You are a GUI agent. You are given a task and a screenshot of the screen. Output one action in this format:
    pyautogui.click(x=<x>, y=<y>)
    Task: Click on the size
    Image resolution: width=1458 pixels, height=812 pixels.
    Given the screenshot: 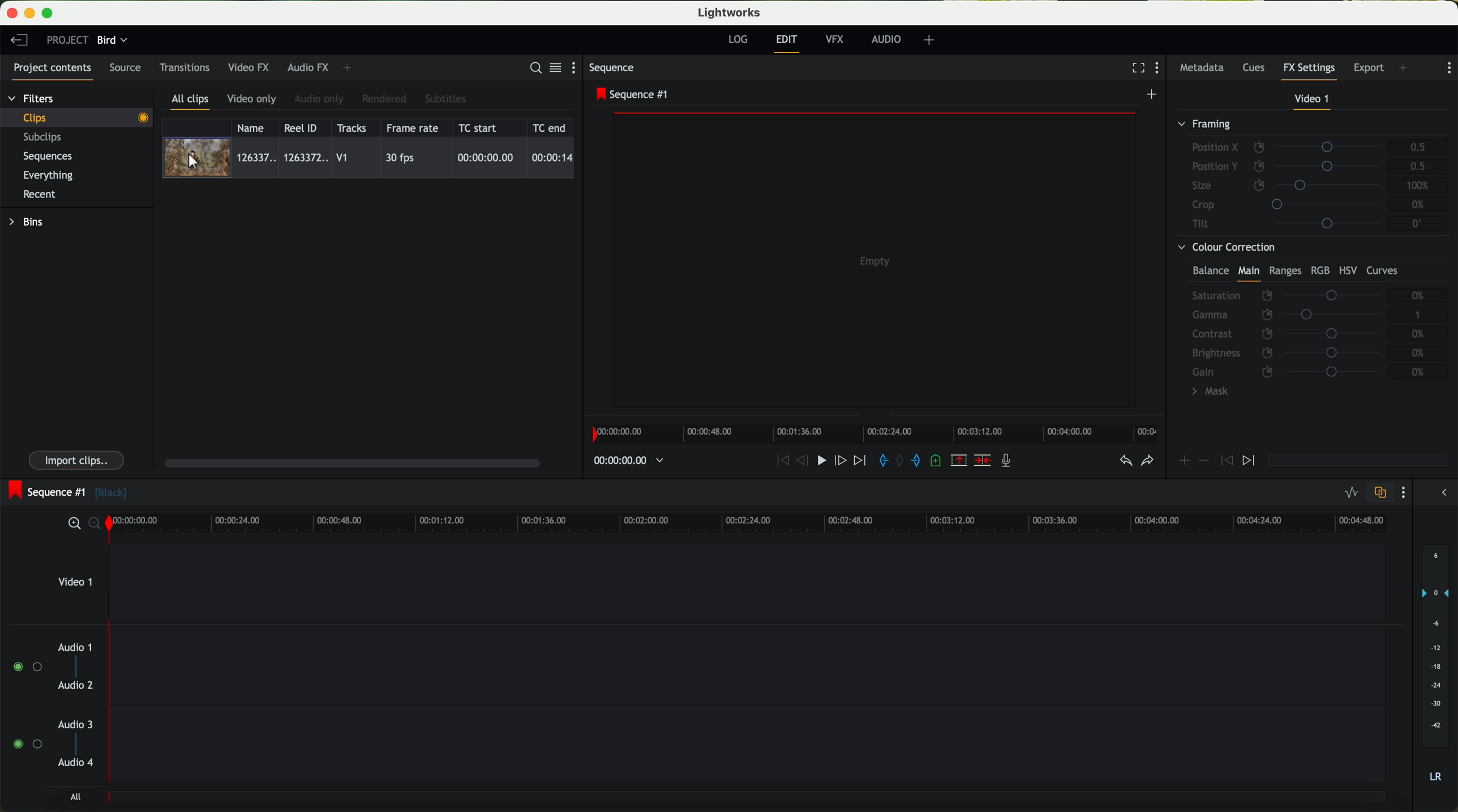 What is the action you would take?
    pyautogui.click(x=1289, y=186)
    